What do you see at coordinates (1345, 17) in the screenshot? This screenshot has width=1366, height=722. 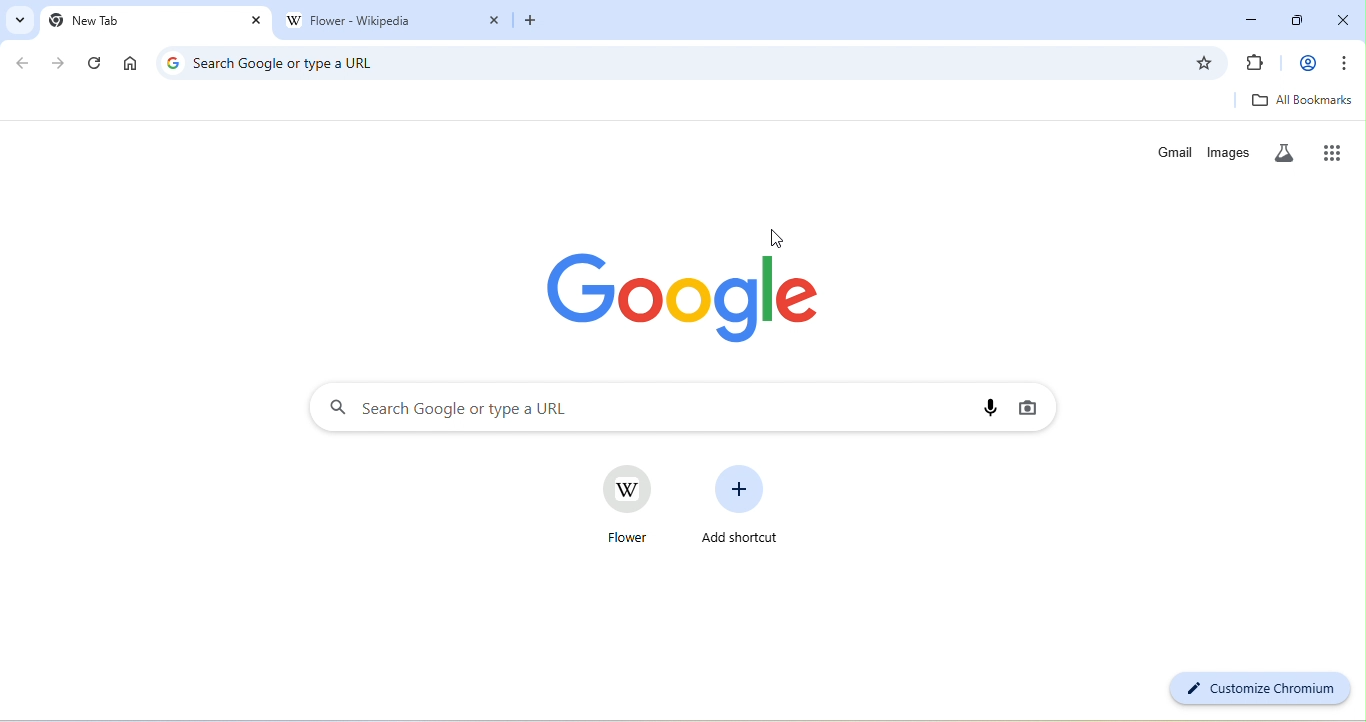 I see `close` at bounding box center [1345, 17].